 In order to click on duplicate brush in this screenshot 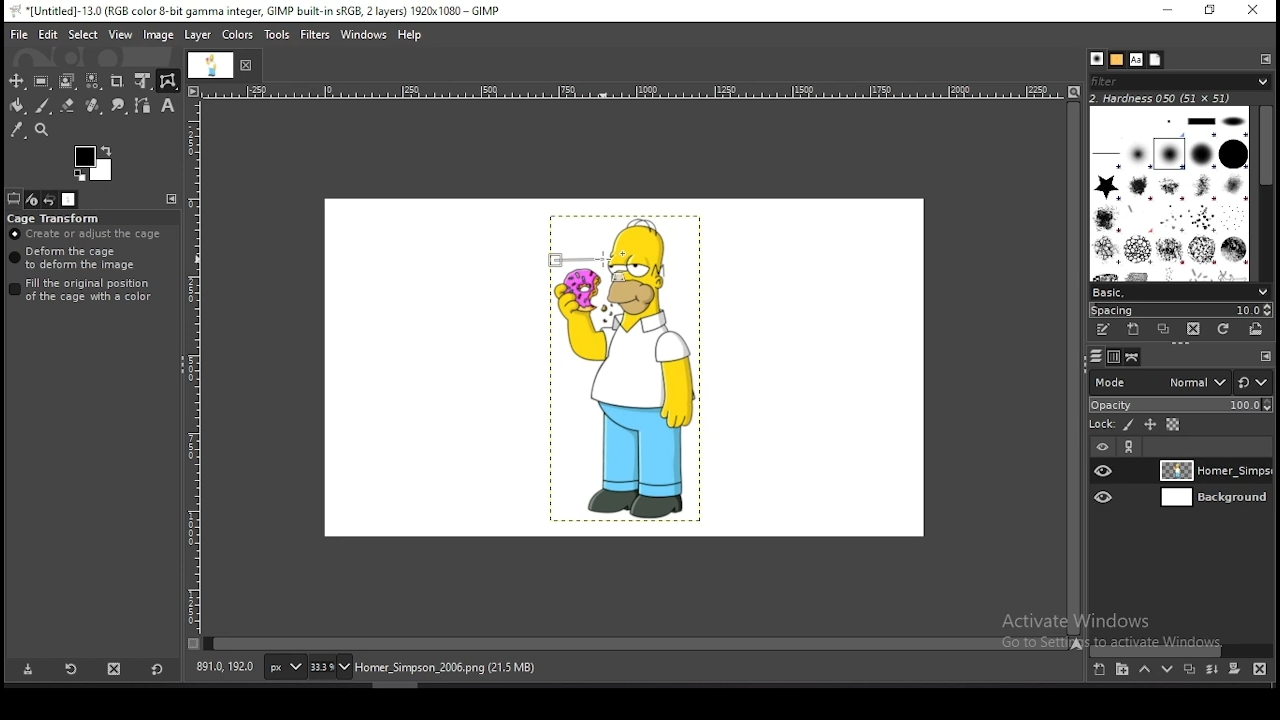, I will do `click(1168, 331)`.